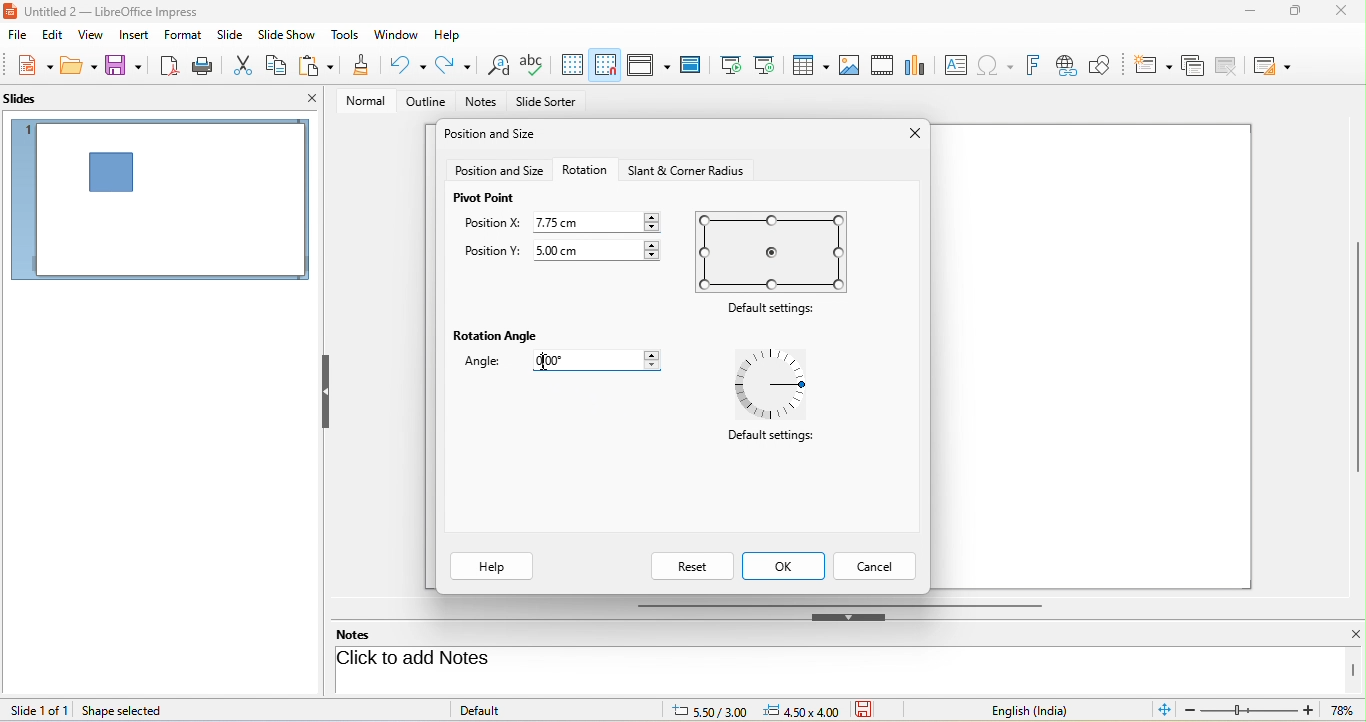  Describe the element at coordinates (31, 100) in the screenshot. I see `slides` at that location.